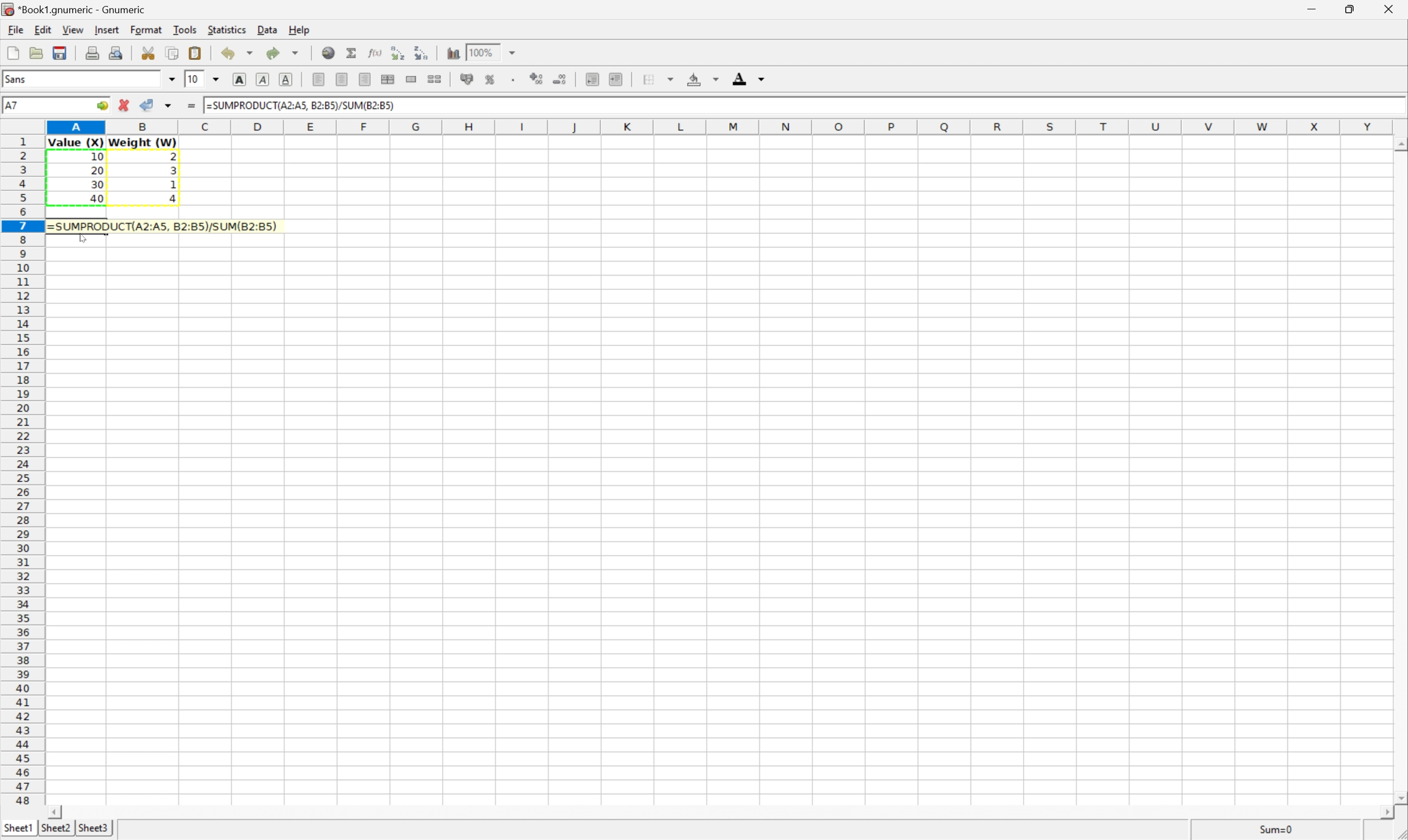 This screenshot has width=1408, height=840. Describe the element at coordinates (227, 30) in the screenshot. I see `Statistics` at that location.